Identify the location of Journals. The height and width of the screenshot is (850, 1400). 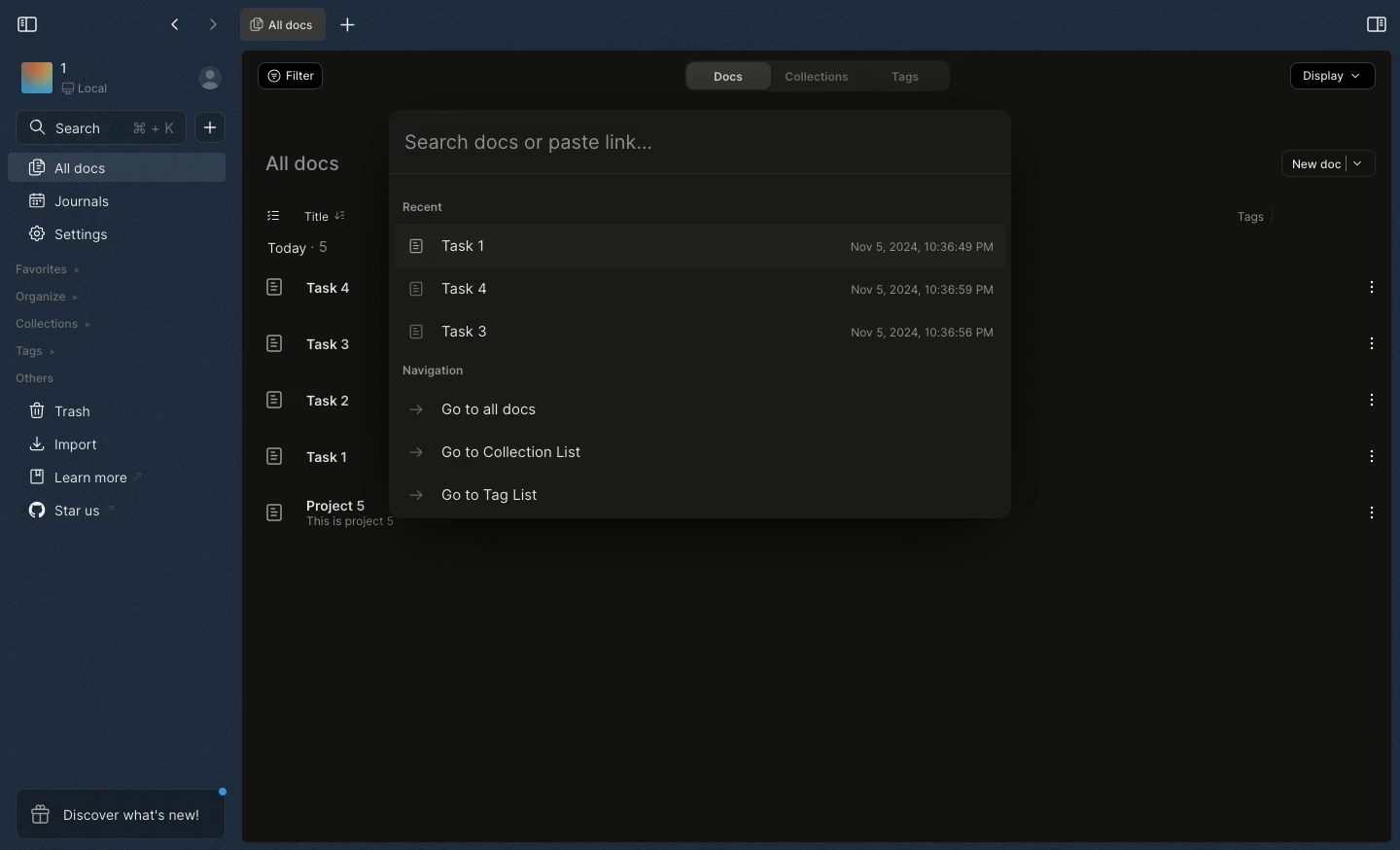
(66, 201).